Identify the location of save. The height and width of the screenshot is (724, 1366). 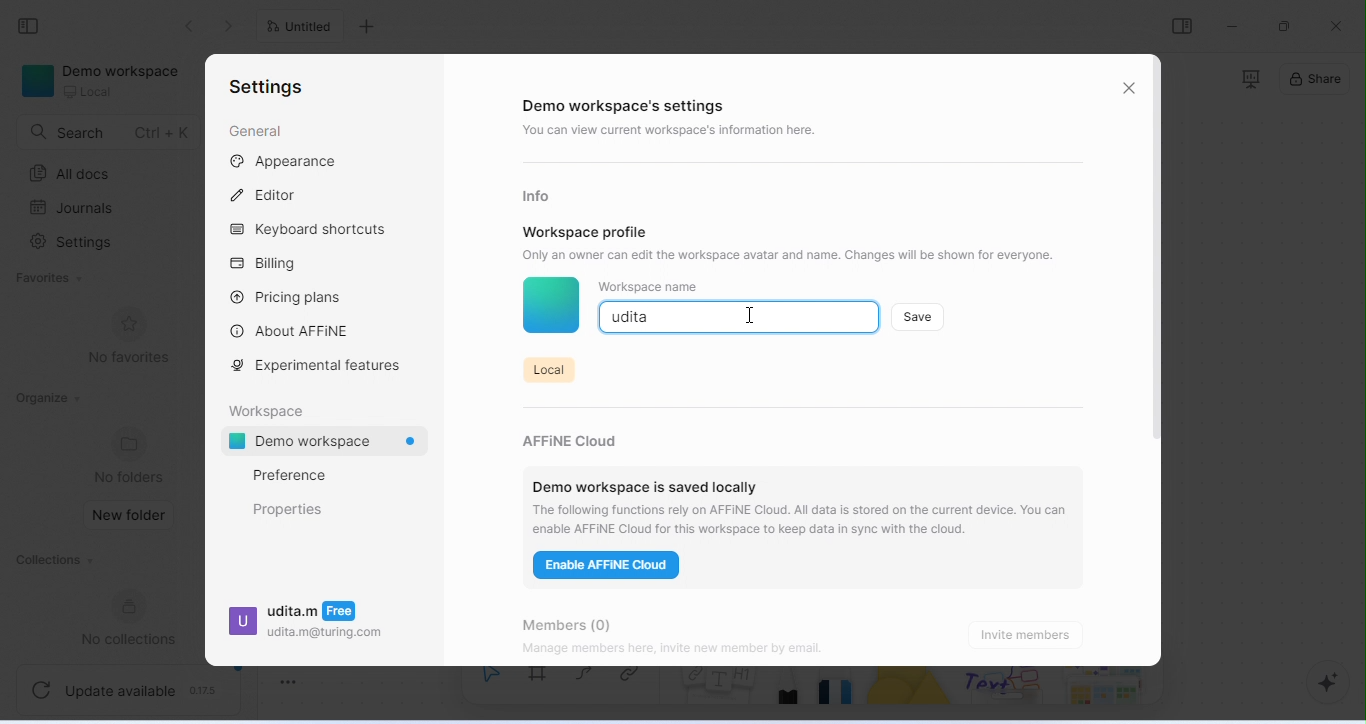
(919, 316).